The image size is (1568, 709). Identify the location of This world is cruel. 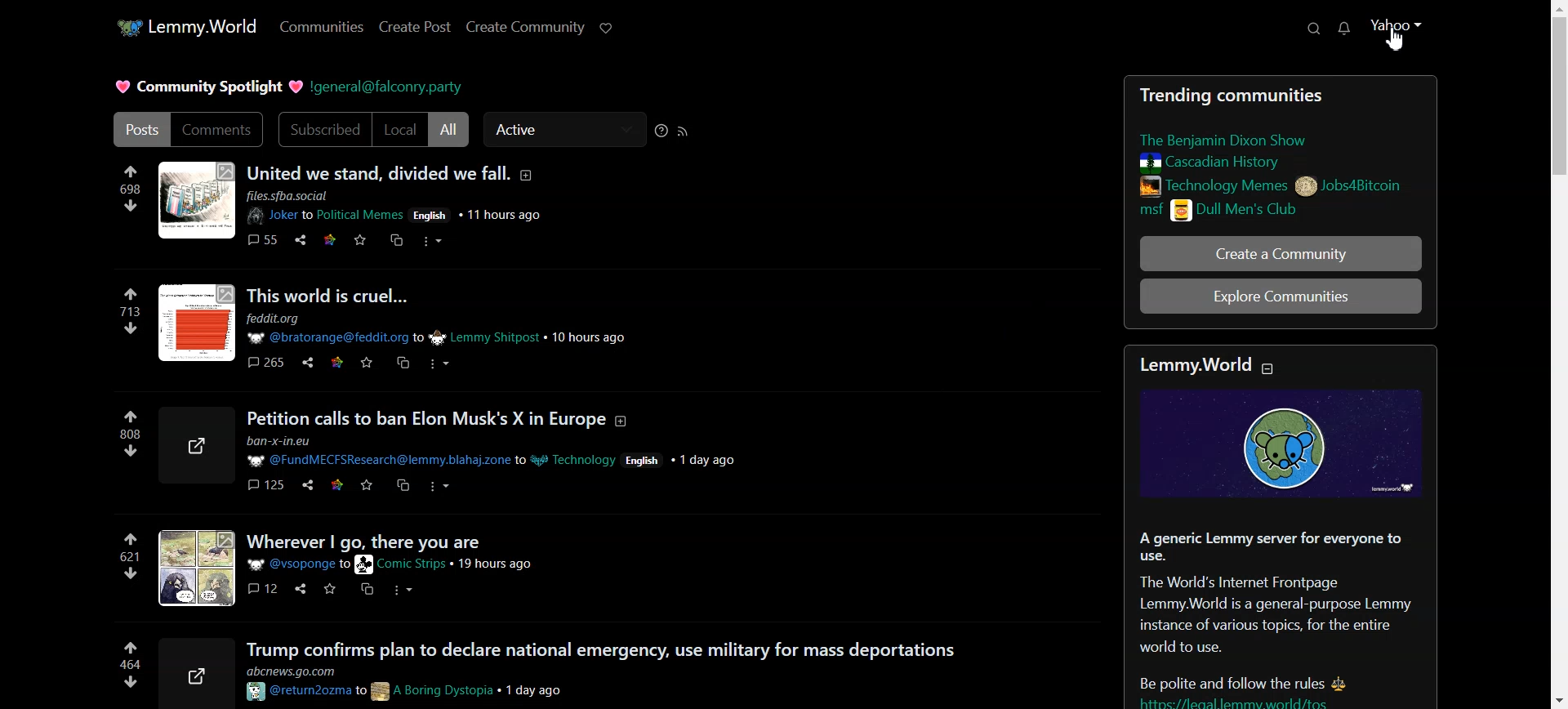
(323, 297).